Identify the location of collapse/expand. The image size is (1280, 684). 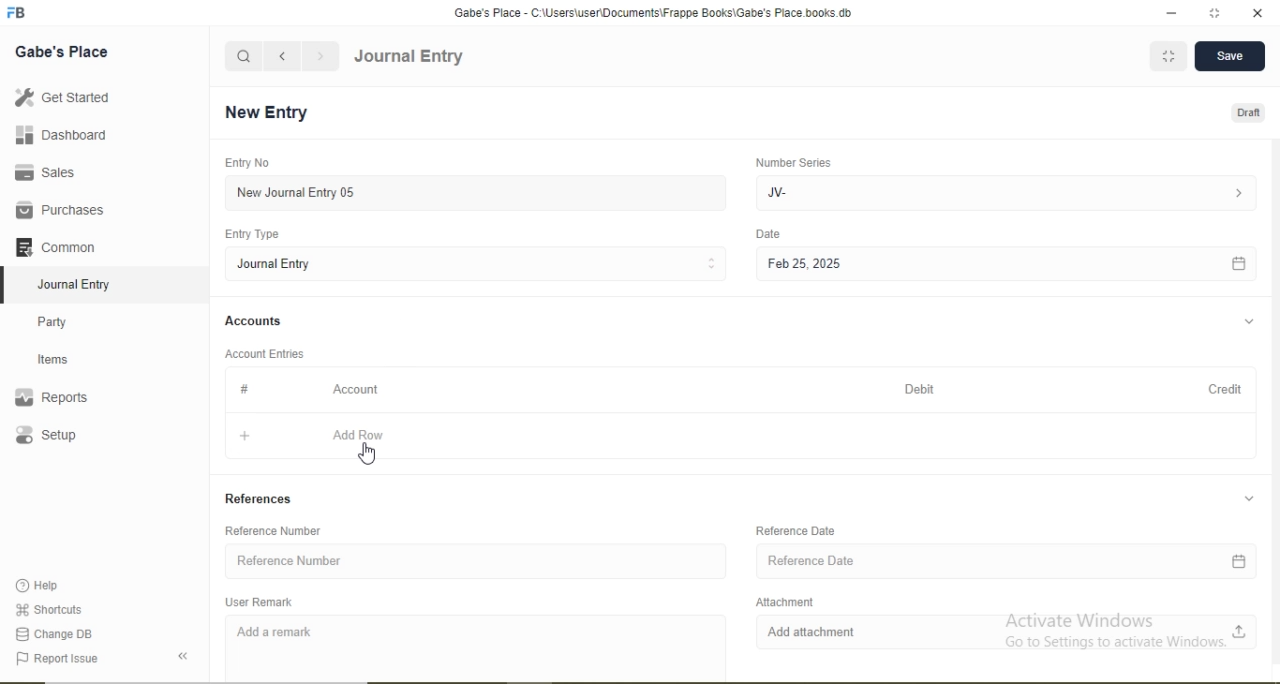
(1249, 322).